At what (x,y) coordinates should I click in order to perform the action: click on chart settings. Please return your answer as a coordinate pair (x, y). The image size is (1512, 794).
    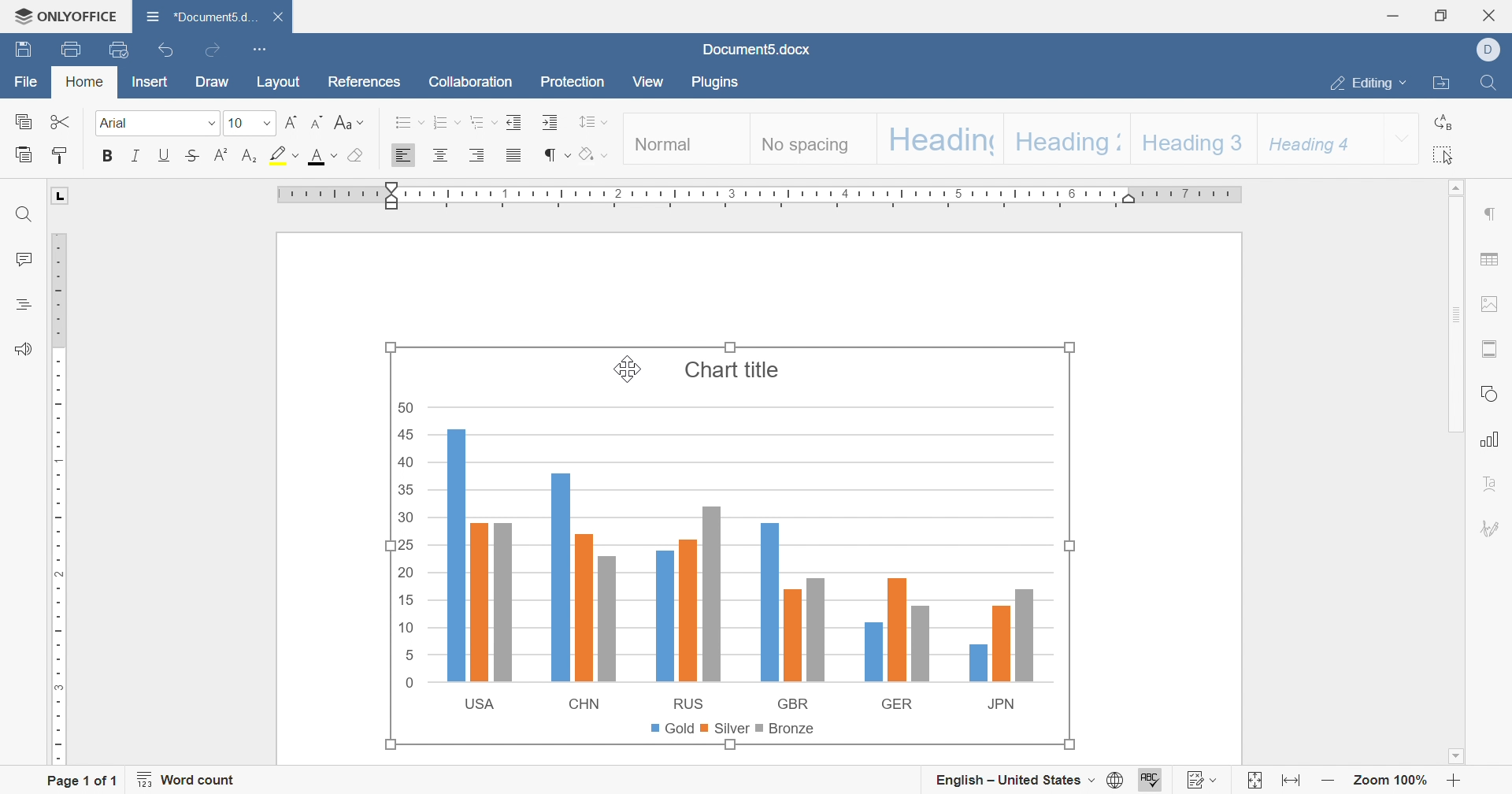
    Looking at the image, I should click on (1492, 440).